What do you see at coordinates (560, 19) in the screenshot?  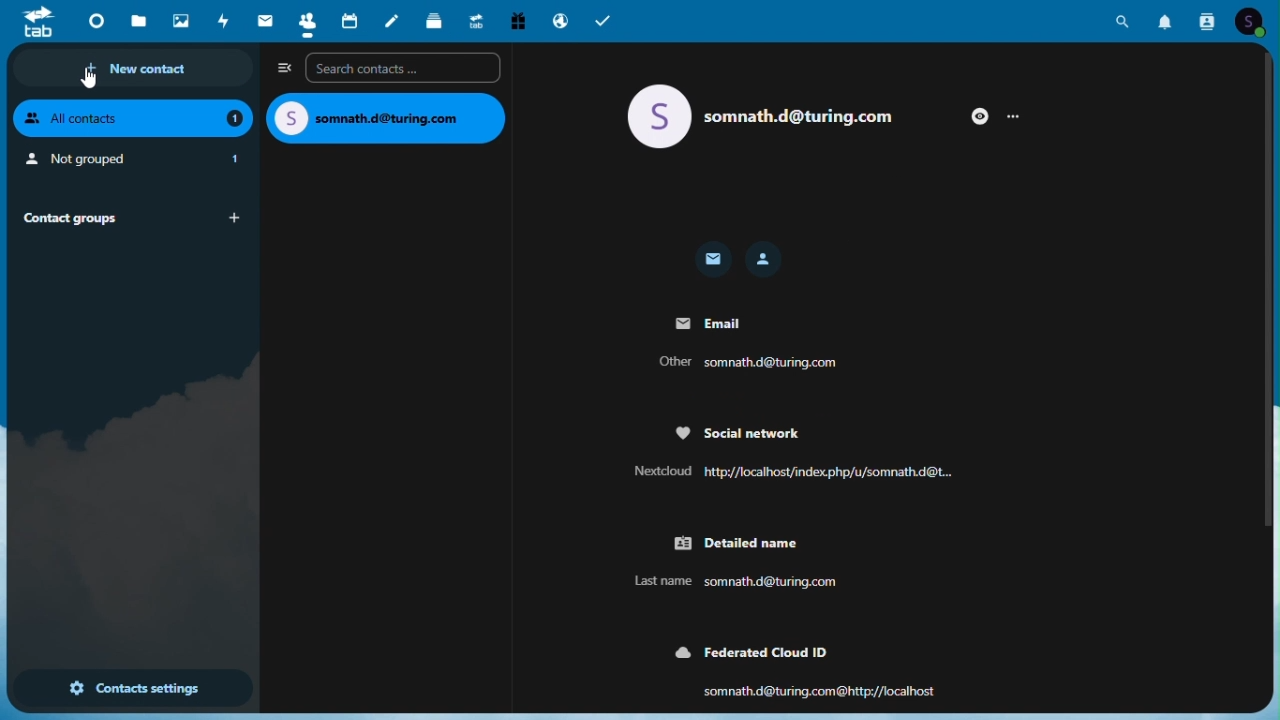 I see `Email hosting` at bounding box center [560, 19].